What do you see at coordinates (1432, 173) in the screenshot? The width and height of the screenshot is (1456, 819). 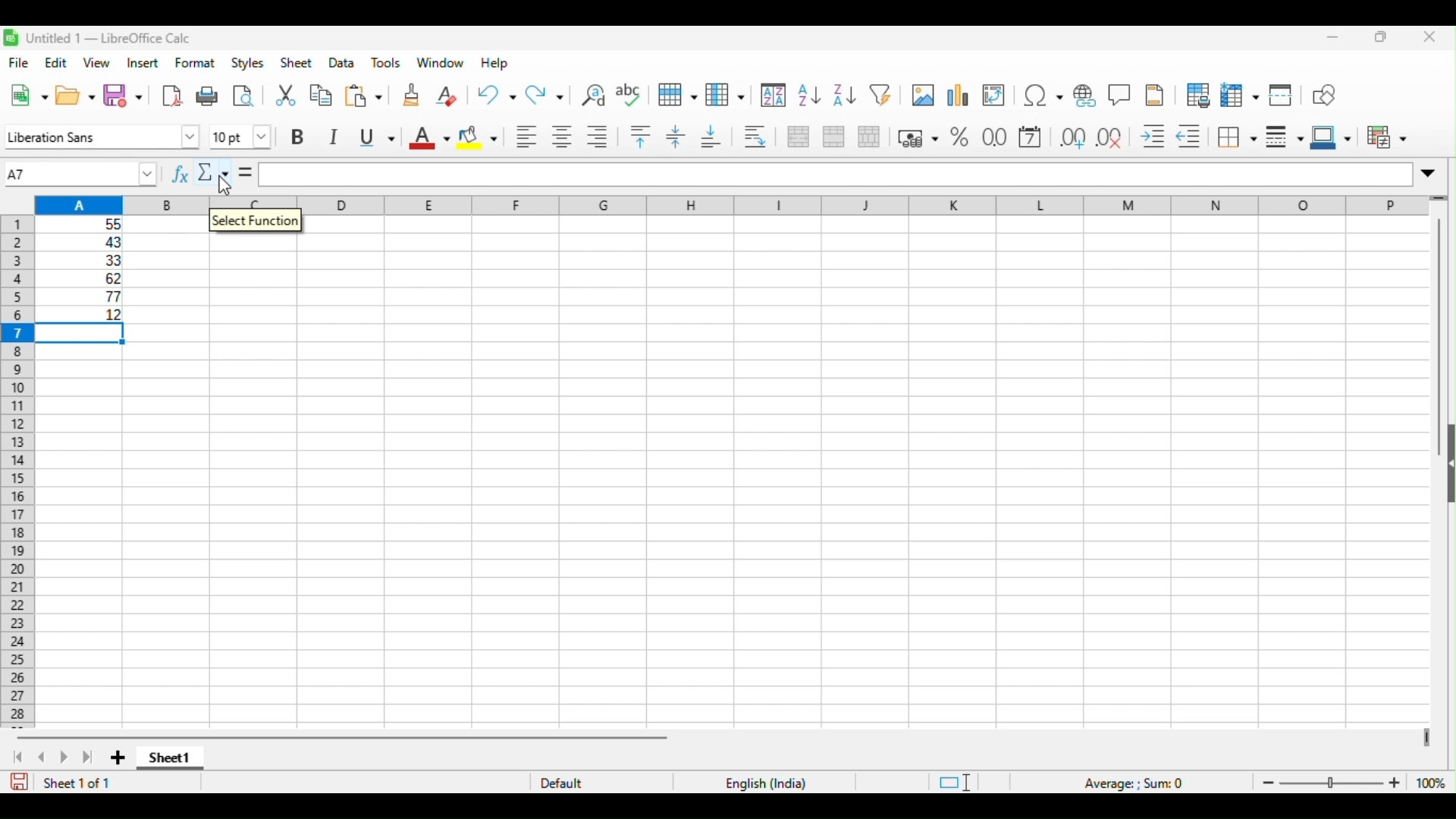 I see `expand` at bounding box center [1432, 173].